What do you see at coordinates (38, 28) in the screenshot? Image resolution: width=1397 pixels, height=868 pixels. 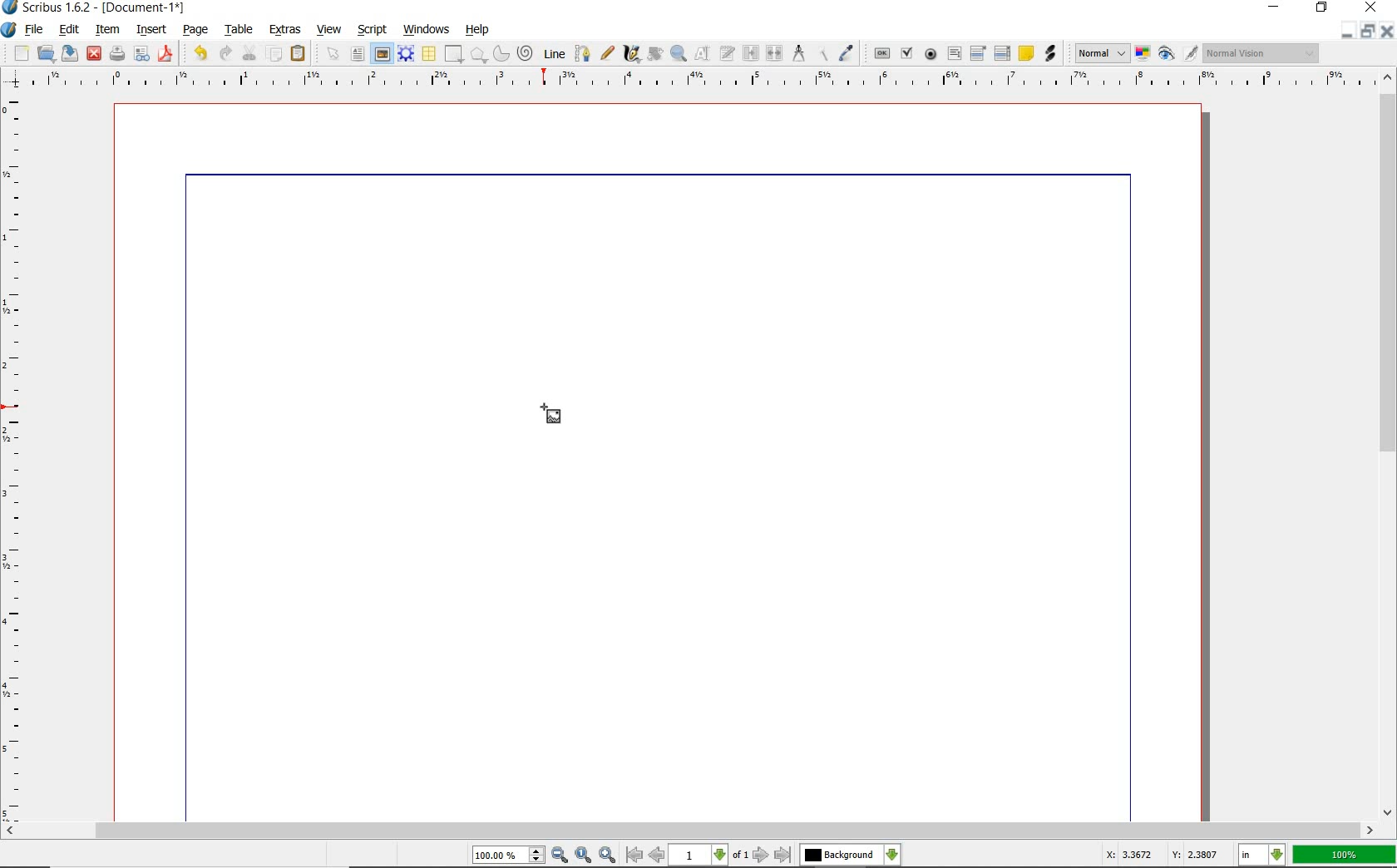 I see `file` at bounding box center [38, 28].